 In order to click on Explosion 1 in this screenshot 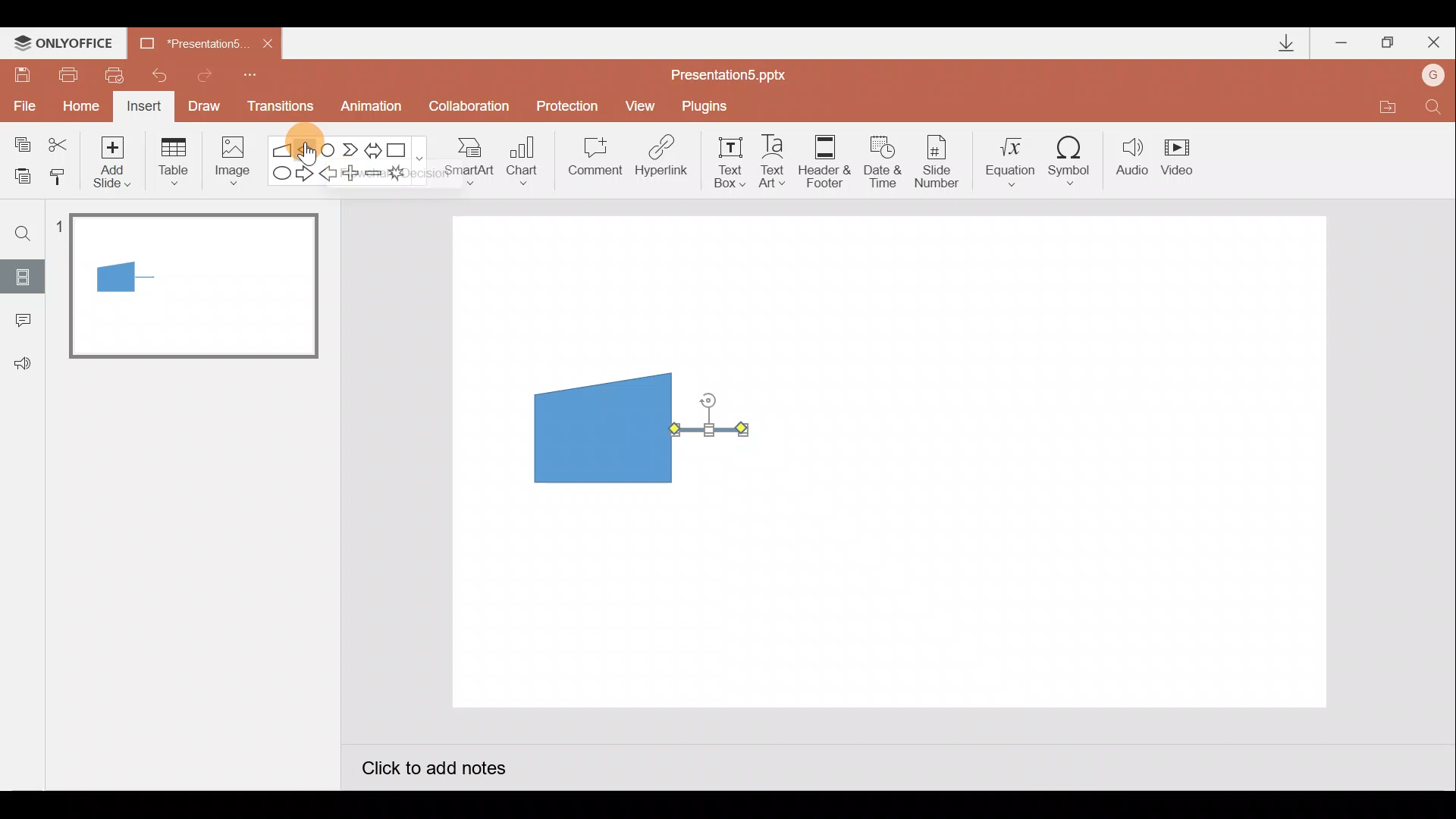, I will do `click(406, 175)`.